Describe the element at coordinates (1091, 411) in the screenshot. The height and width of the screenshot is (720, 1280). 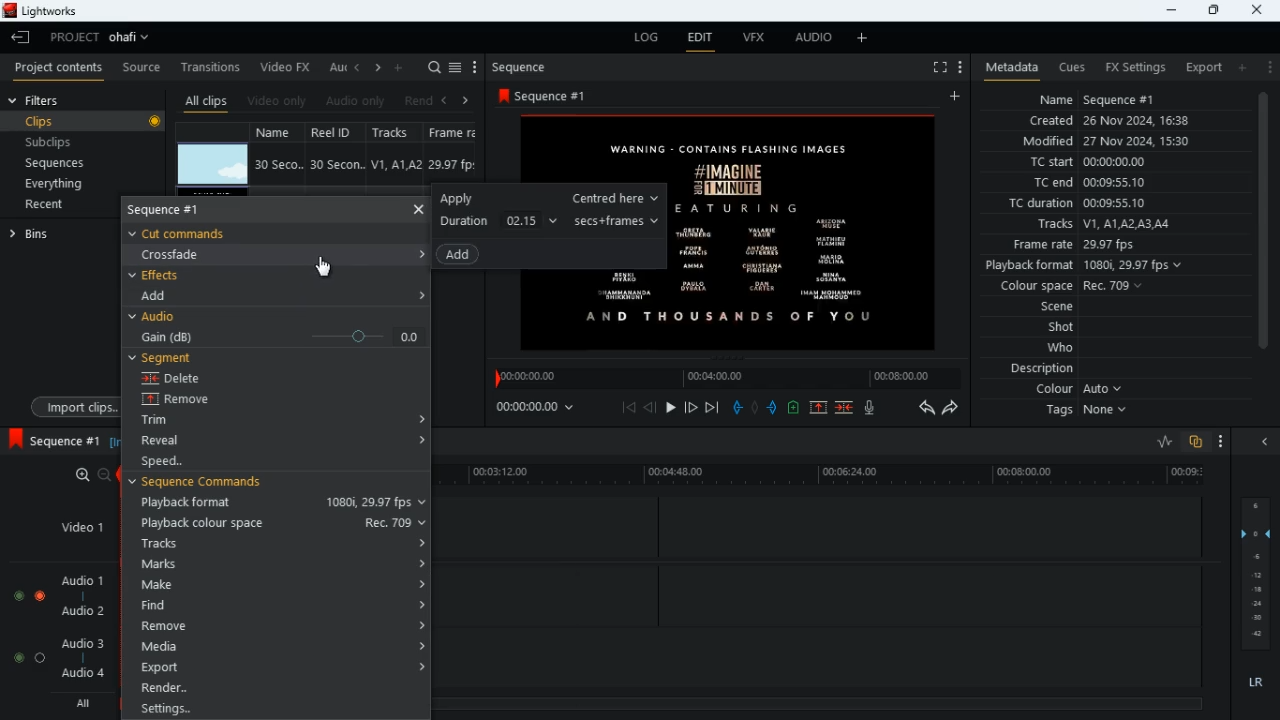
I see `tags` at that location.